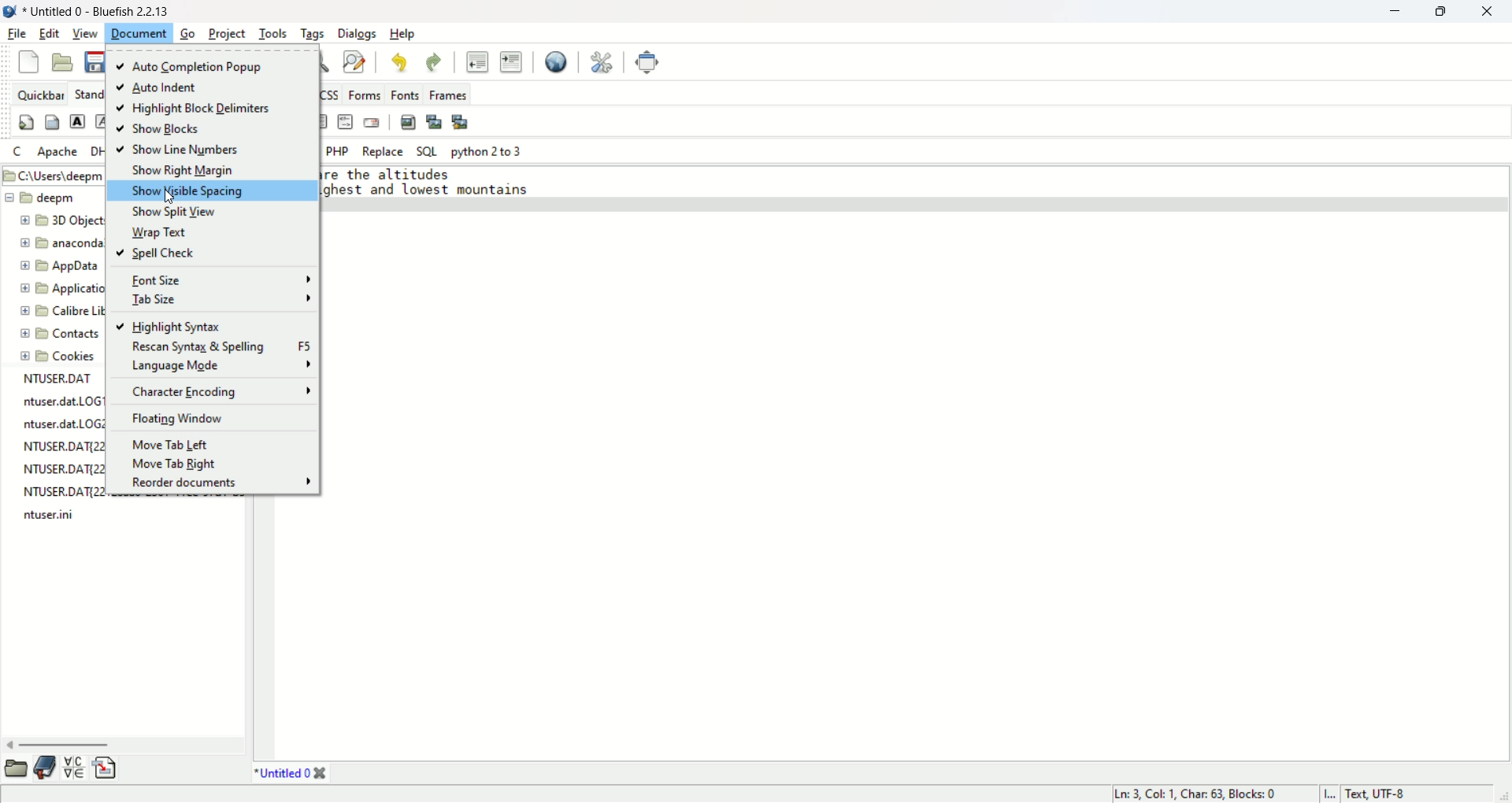 This screenshot has height=803, width=1512. Describe the element at coordinates (364, 94) in the screenshot. I see `forms` at that location.